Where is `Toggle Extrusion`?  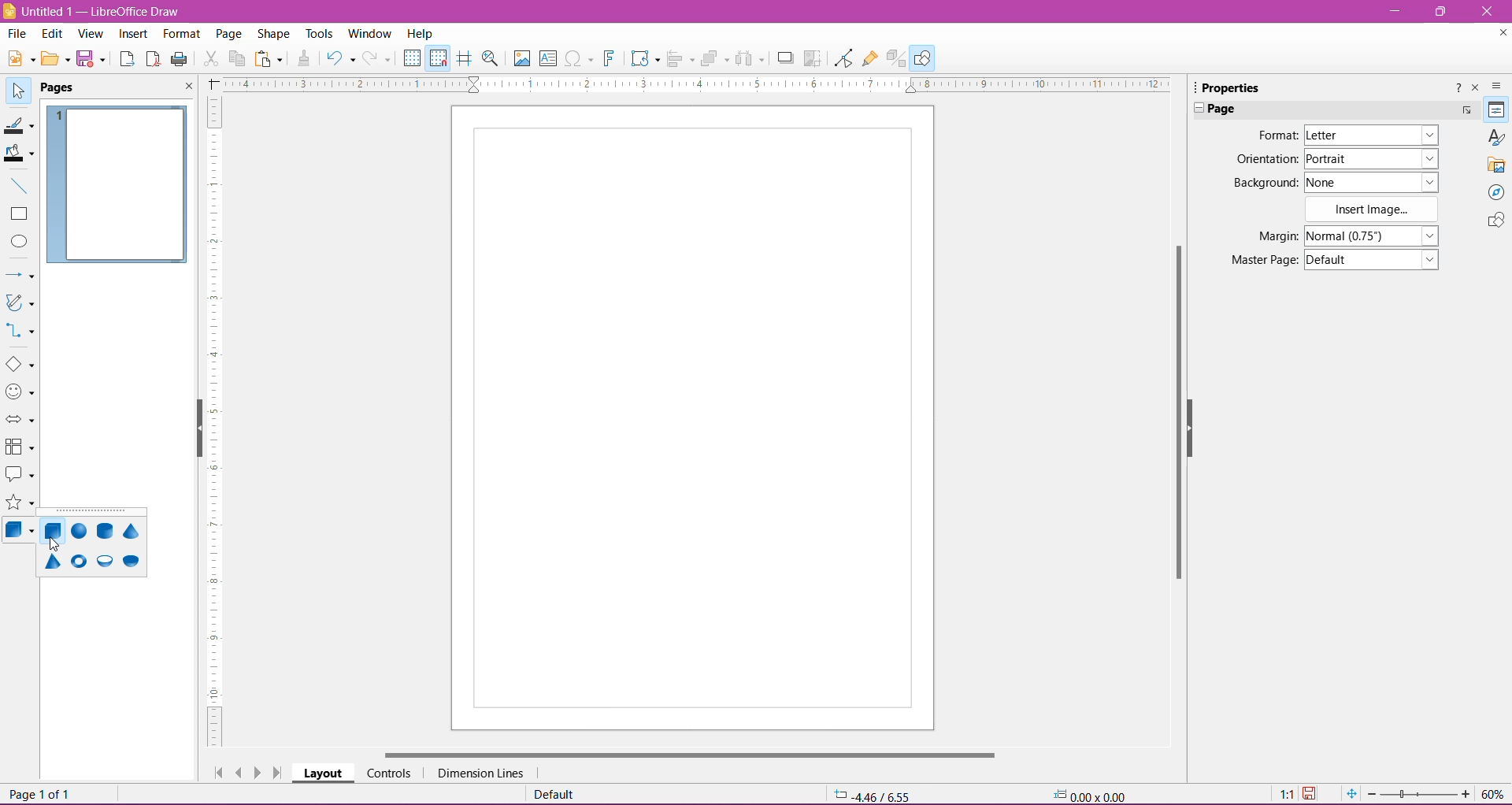 Toggle Extrusion is located at coordinates (897, 58).